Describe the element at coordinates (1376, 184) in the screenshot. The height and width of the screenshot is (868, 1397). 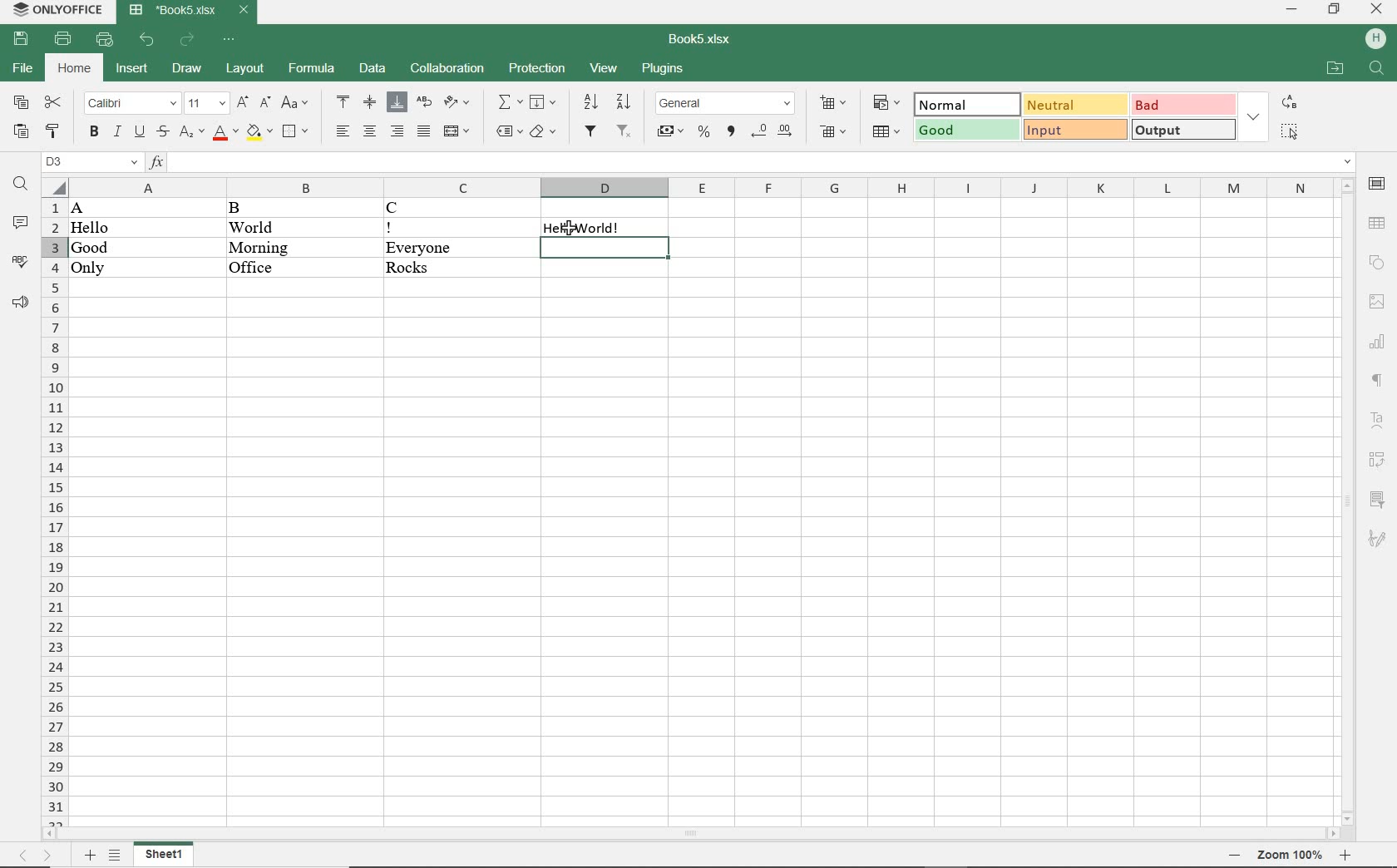
I see `CELL SETTINGS` at that location.